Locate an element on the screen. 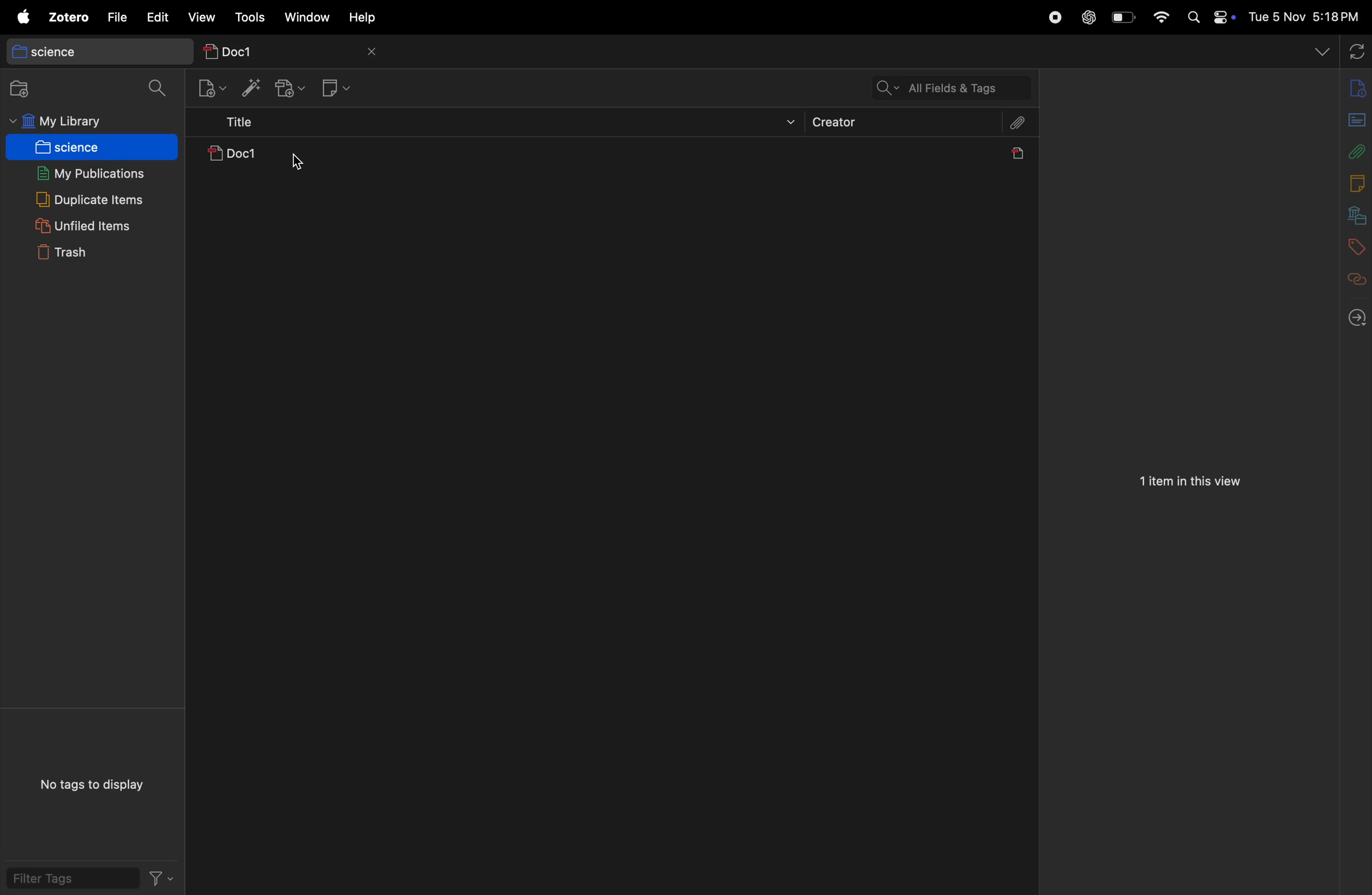 The height and width of the screenshot is (895, 1372). filter tags is located at coordinates (92, 881).